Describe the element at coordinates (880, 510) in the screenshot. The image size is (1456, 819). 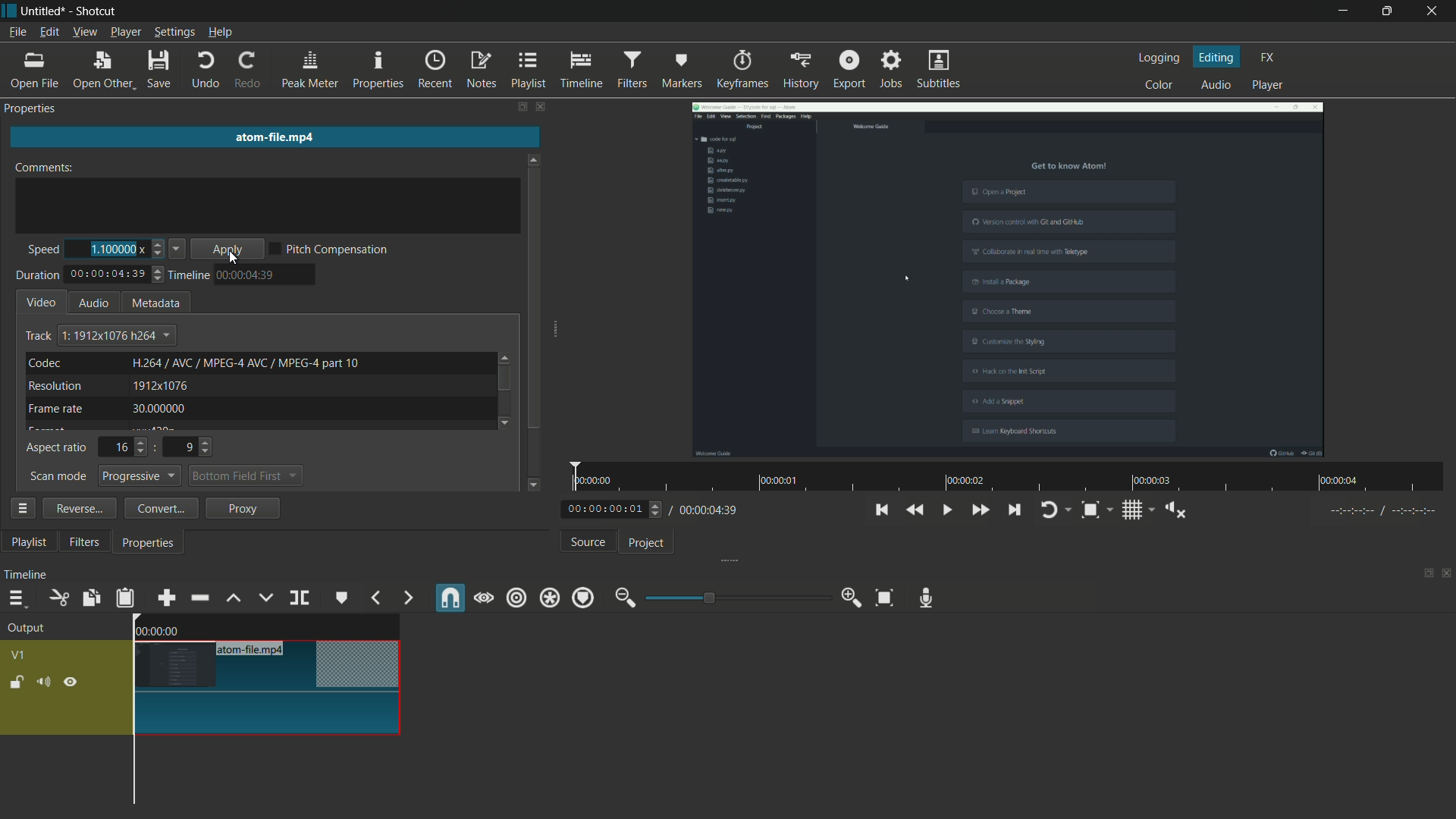
I see `skip to the previous point` at that location.